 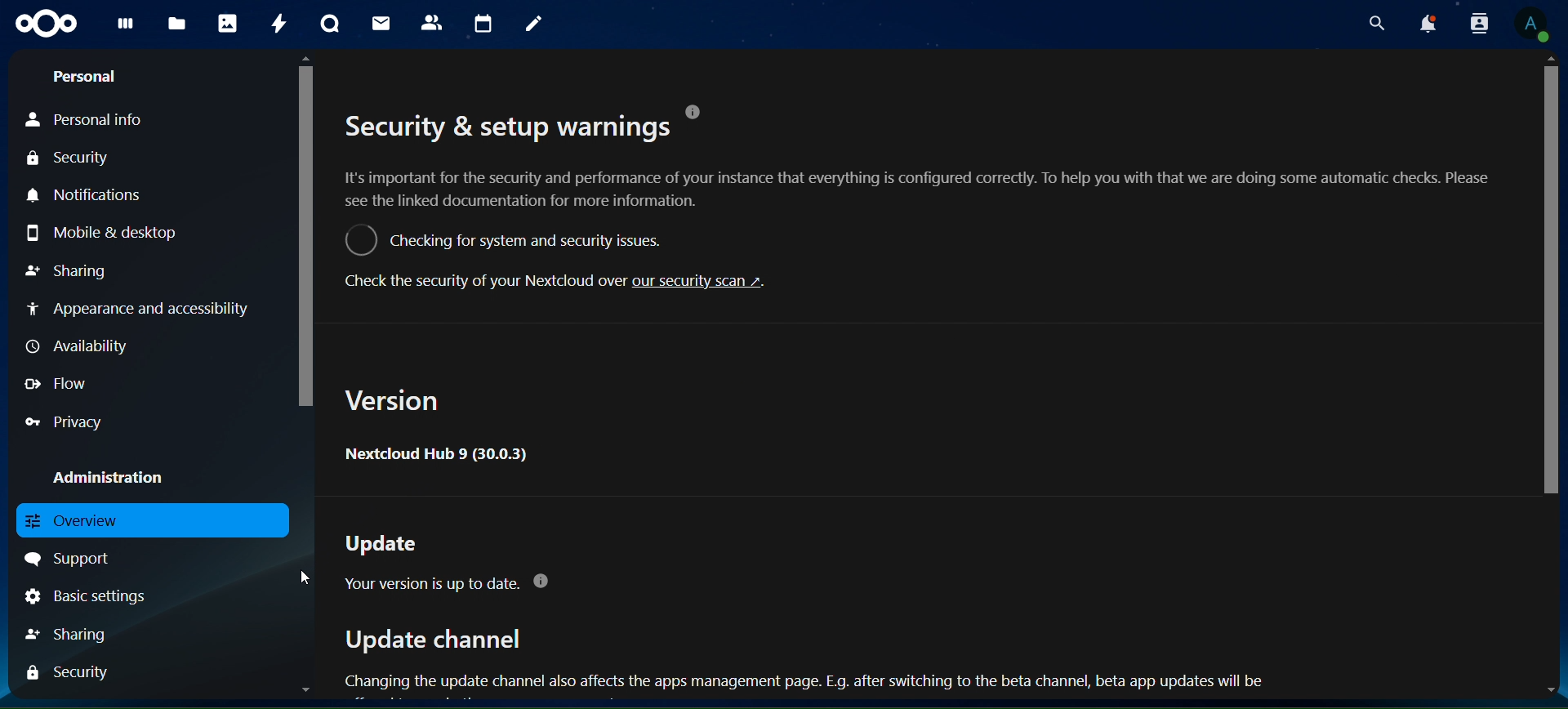 What do you see at coordinates (85, 594) in the screenshot?
I see `basic settings` at bounding box center [85, 594].